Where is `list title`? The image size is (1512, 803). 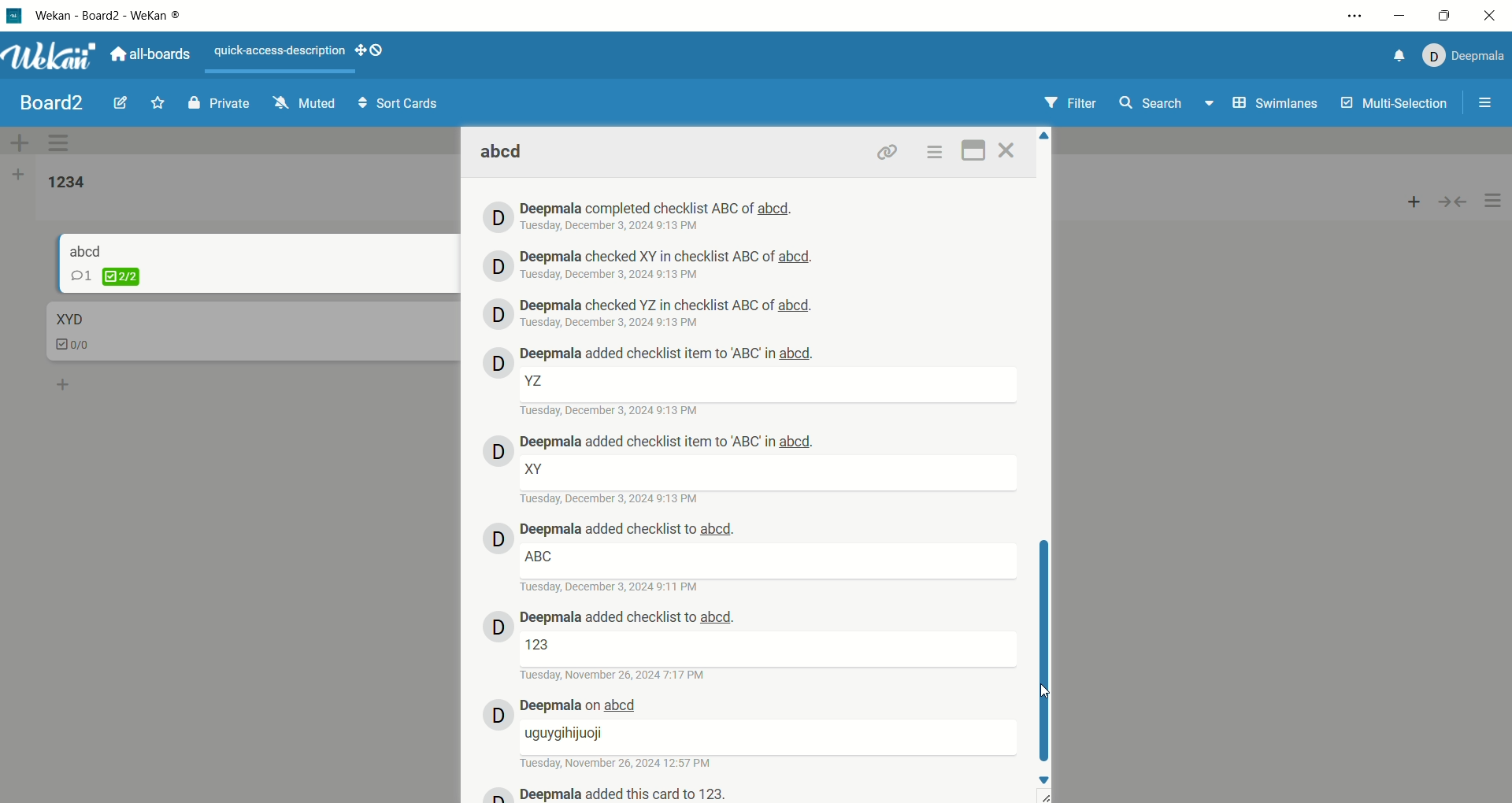 list title is located at coordinates (67, 183).